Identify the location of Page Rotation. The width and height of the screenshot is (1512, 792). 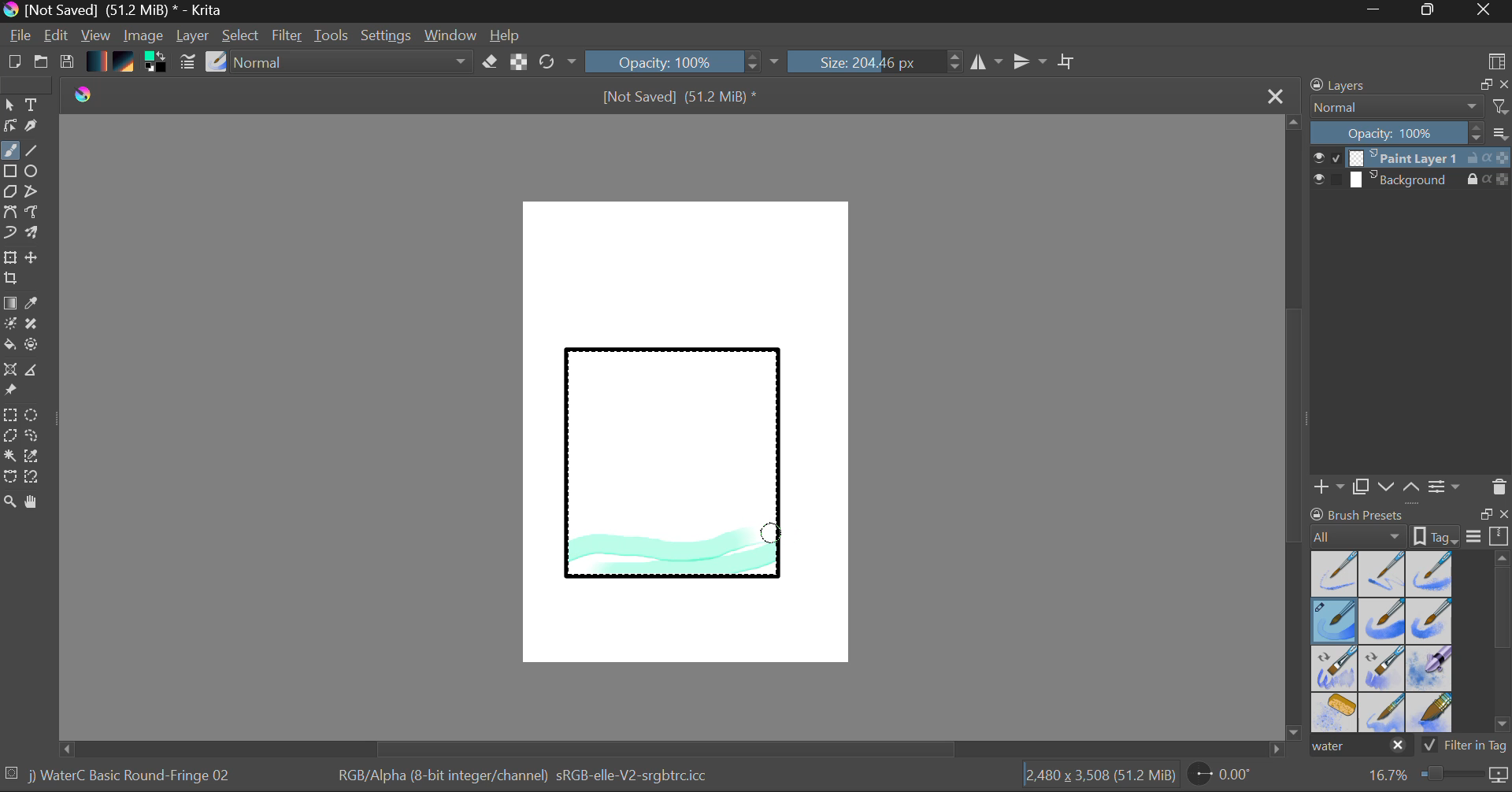
(1228, 777).